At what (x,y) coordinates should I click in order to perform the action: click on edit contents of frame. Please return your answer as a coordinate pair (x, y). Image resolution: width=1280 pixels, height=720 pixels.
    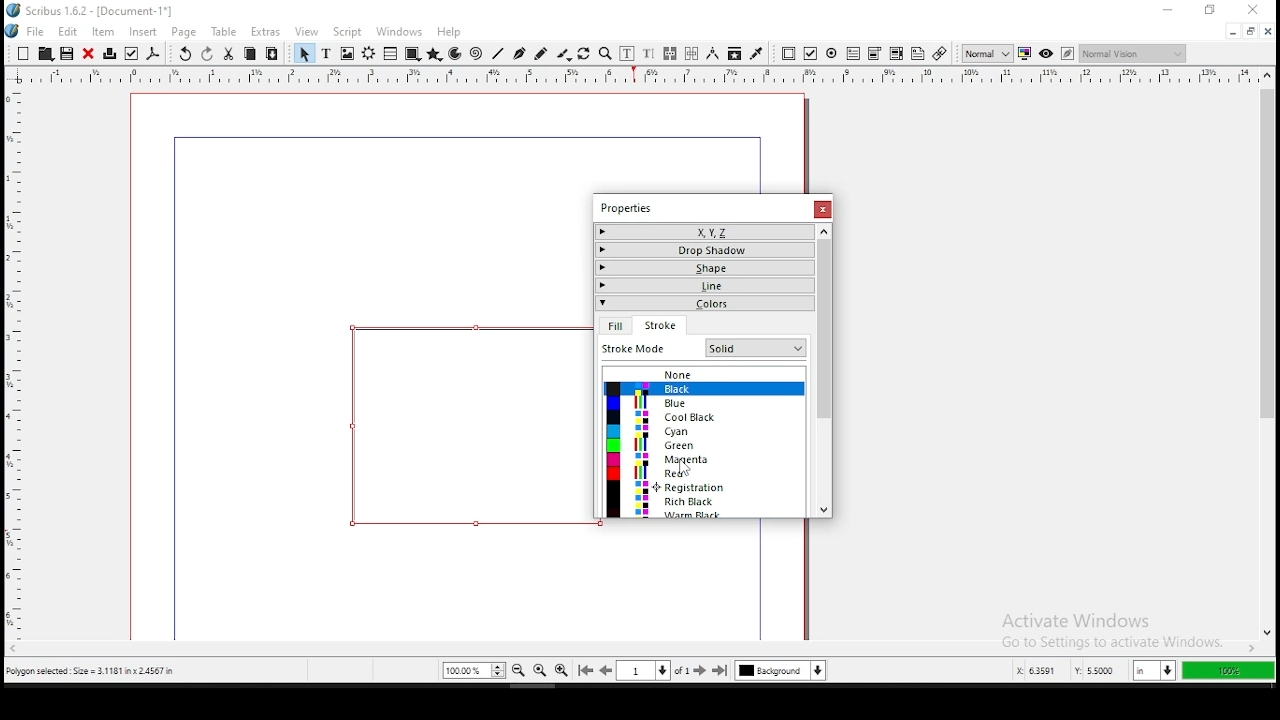
    Looking at the image, I should click on (627, 54).